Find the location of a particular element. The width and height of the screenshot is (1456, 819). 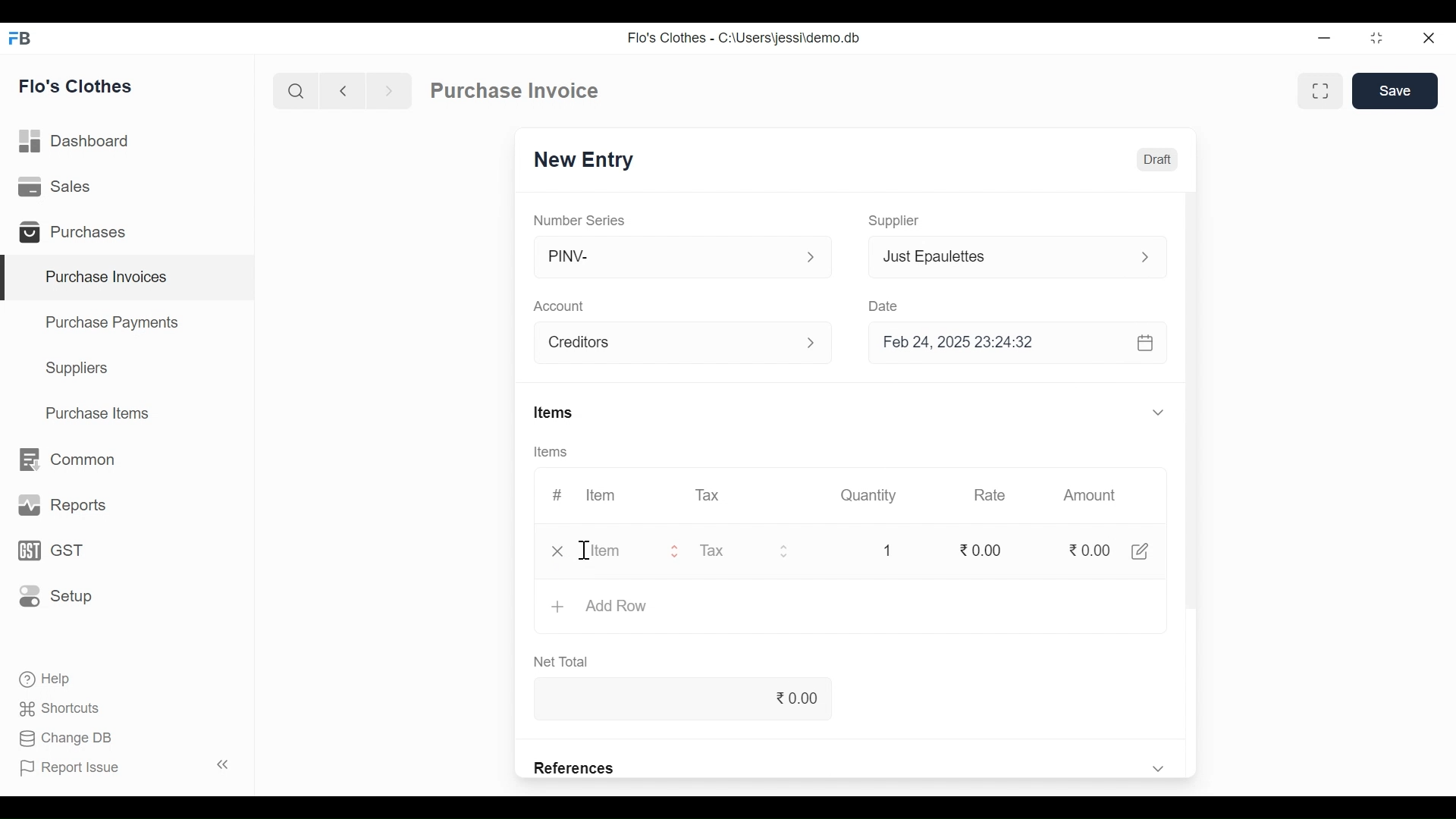

Setup is located at coordinates (52, 597).